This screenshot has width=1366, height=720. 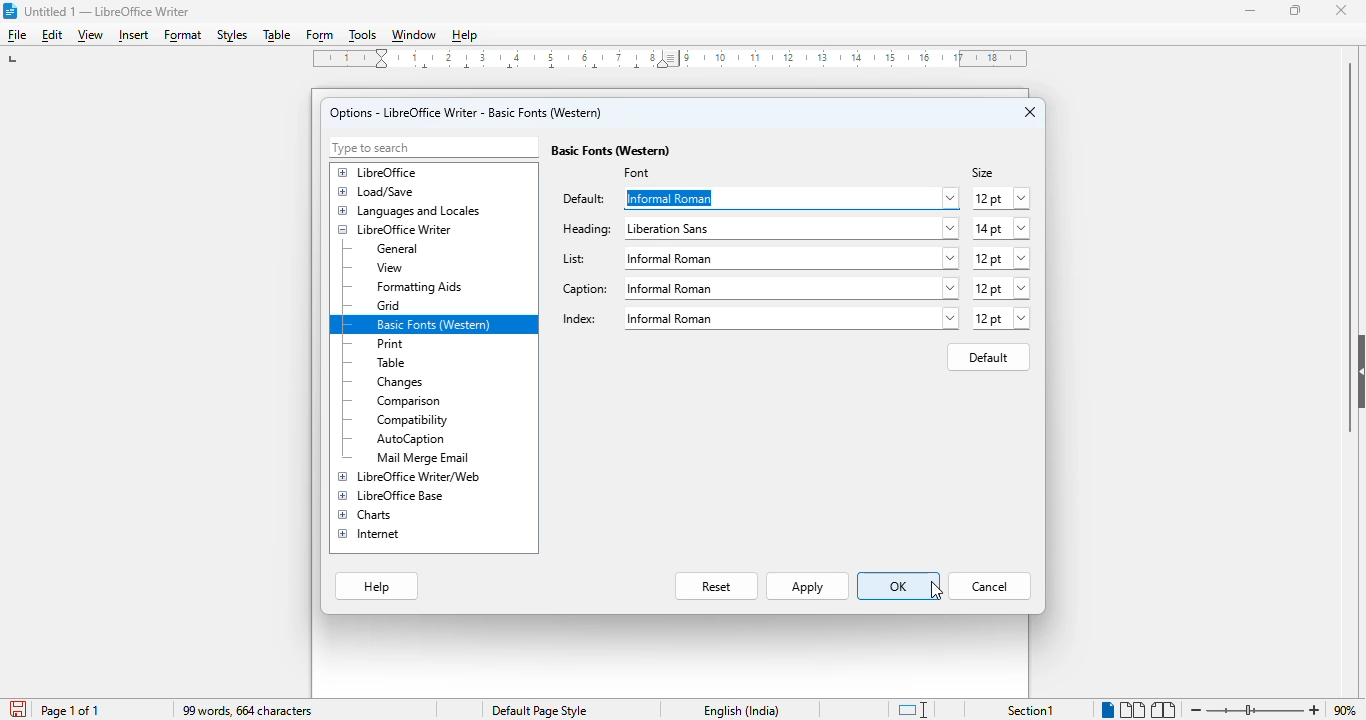 I want to click on LibreOffice Base, so click(x=391, y=496).